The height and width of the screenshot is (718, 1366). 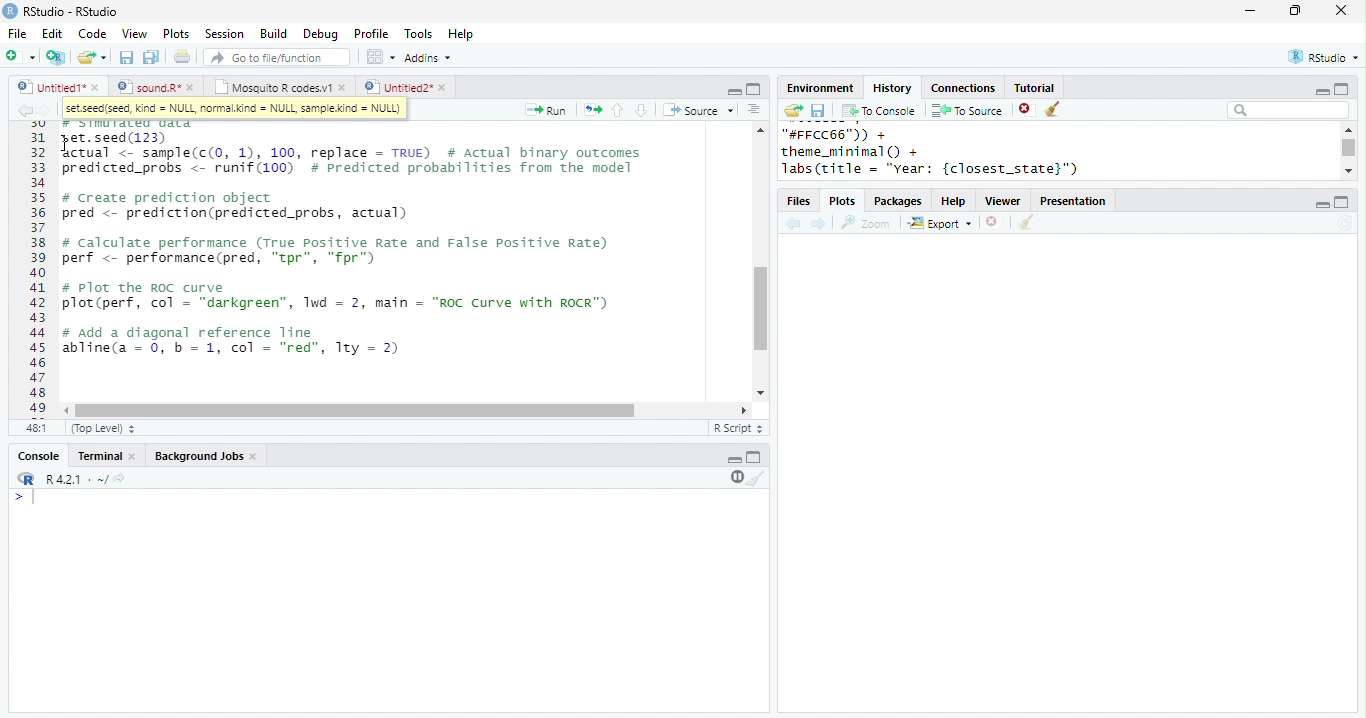 I want to click on R 4.2.1 .~/, so click(x=73, y=480).